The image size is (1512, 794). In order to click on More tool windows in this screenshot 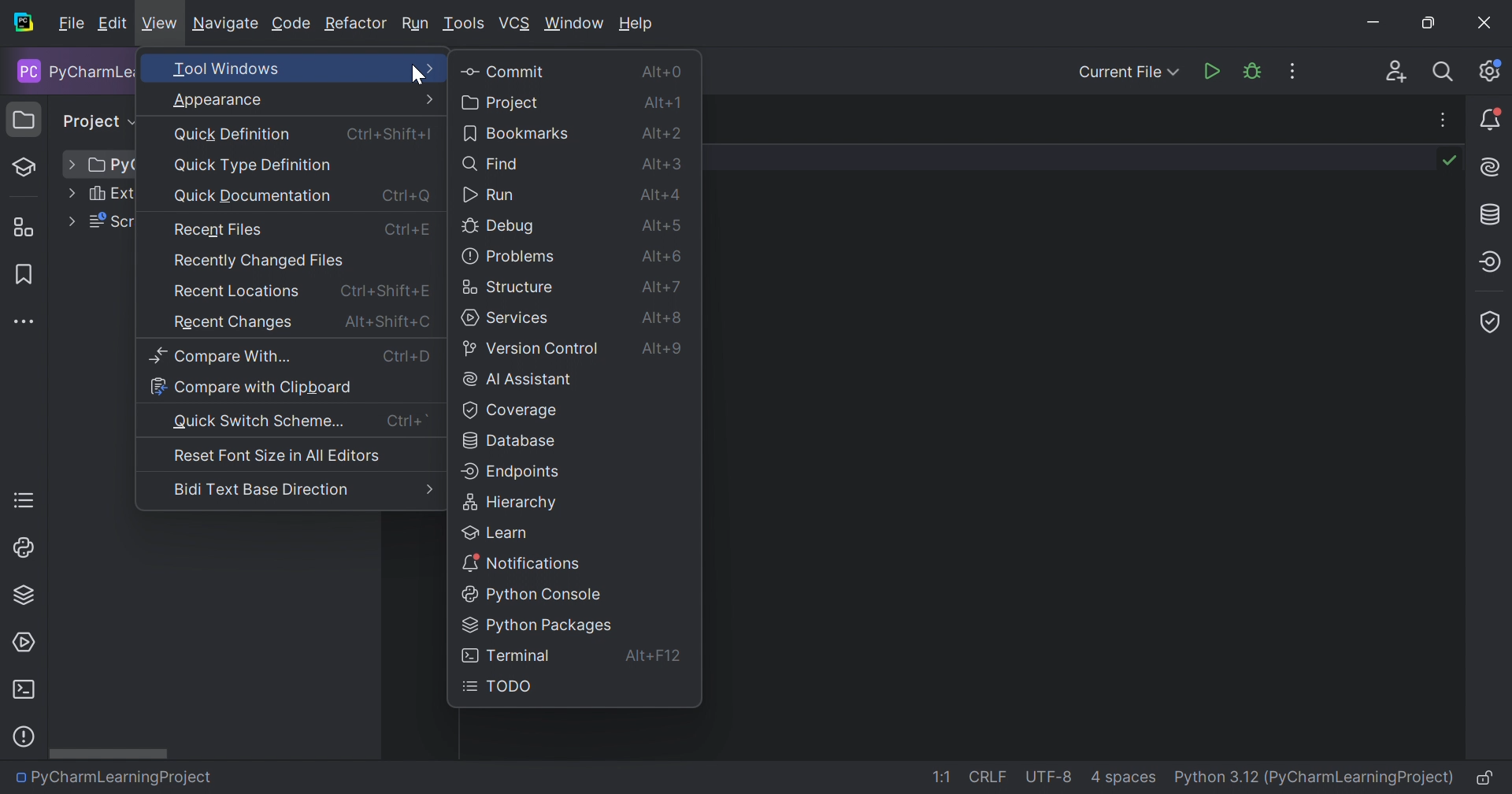, I will do `click(23, 321)`.